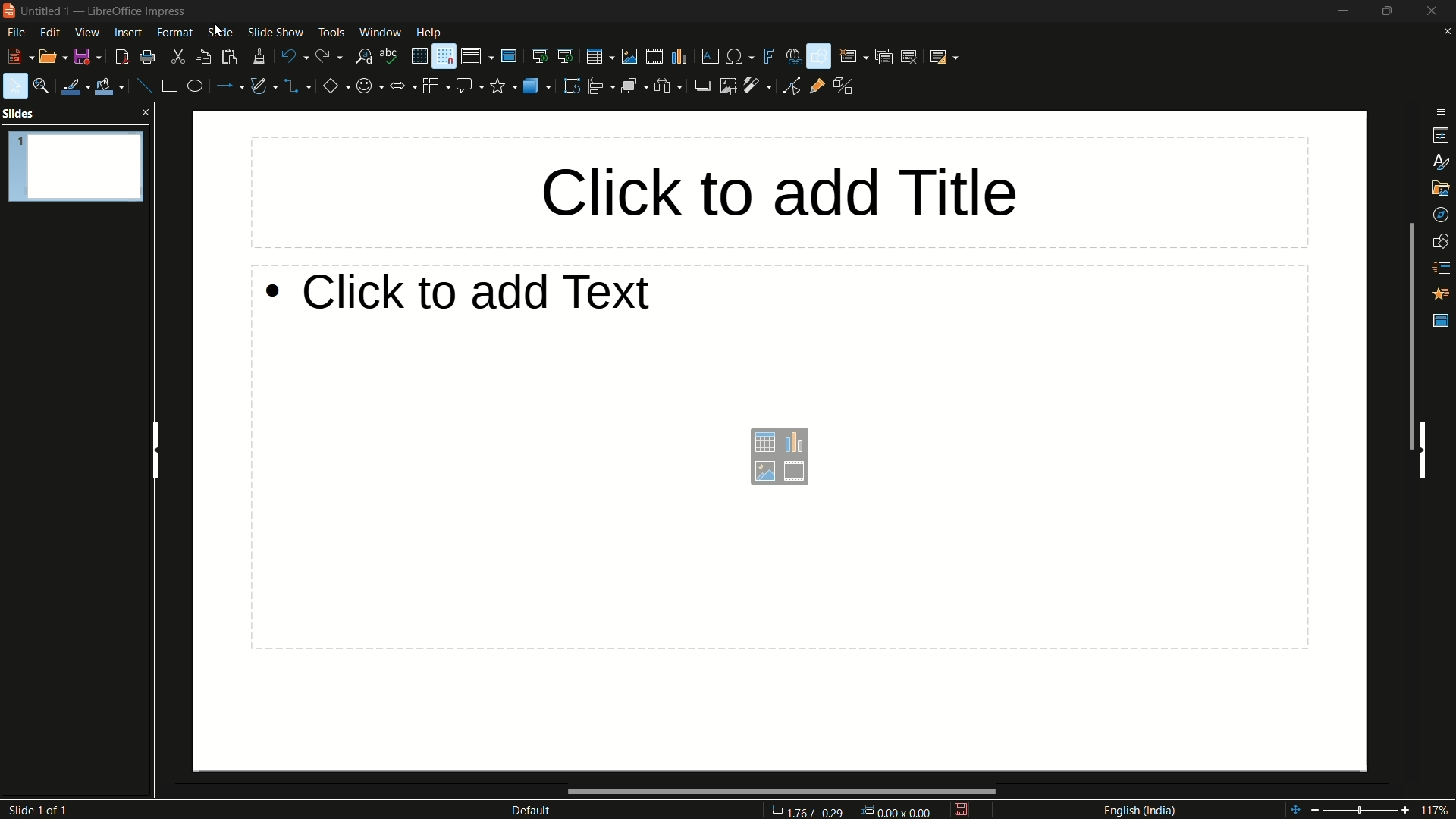 The height and width of the screenshot is (819, 1456). I want to click on open file, so click(51, 58).